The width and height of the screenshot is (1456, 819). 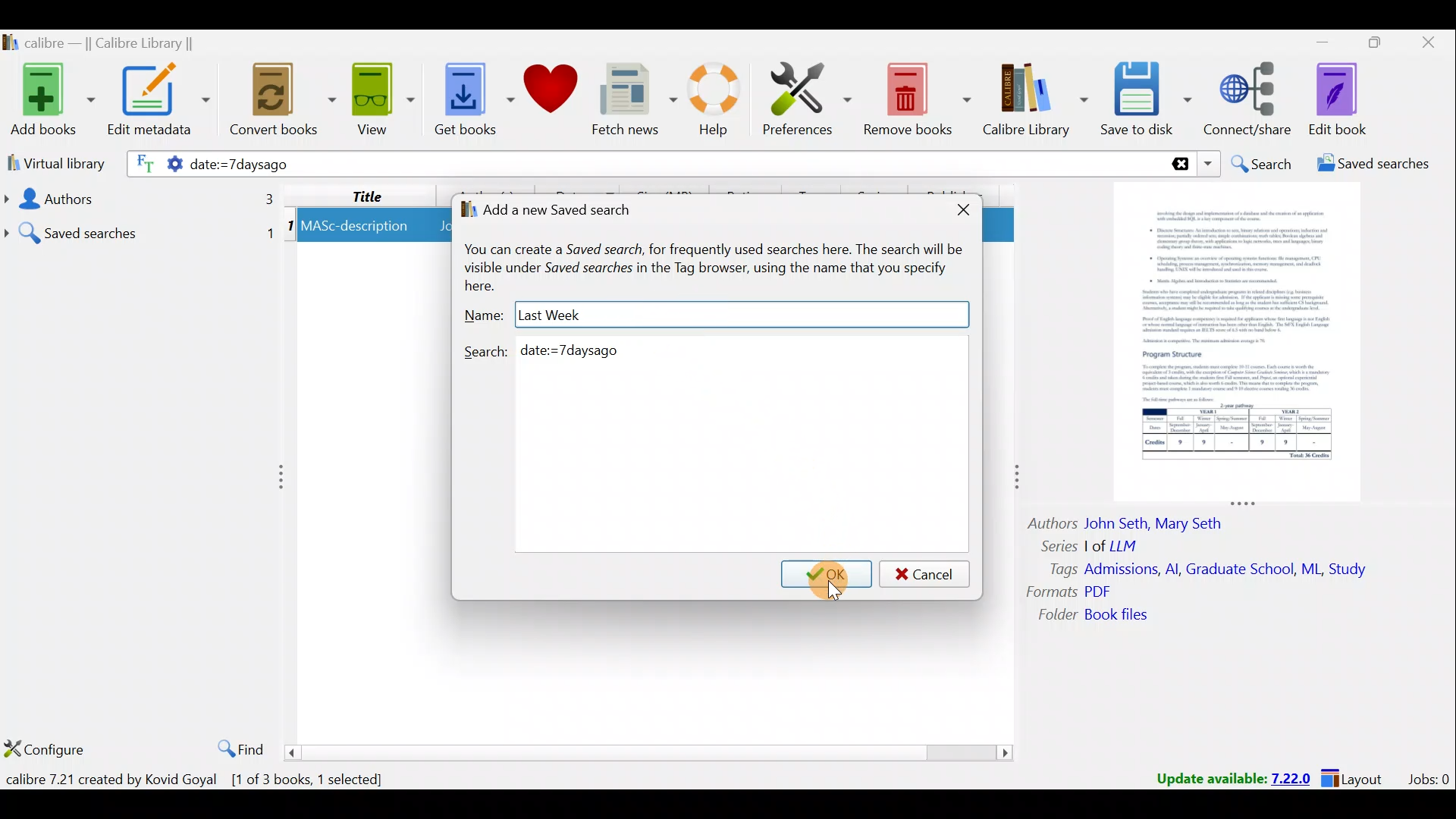 What do you see at coordinates (567, 312) in the screenshot?
I see `Last week` at bounding box center [567, 312].